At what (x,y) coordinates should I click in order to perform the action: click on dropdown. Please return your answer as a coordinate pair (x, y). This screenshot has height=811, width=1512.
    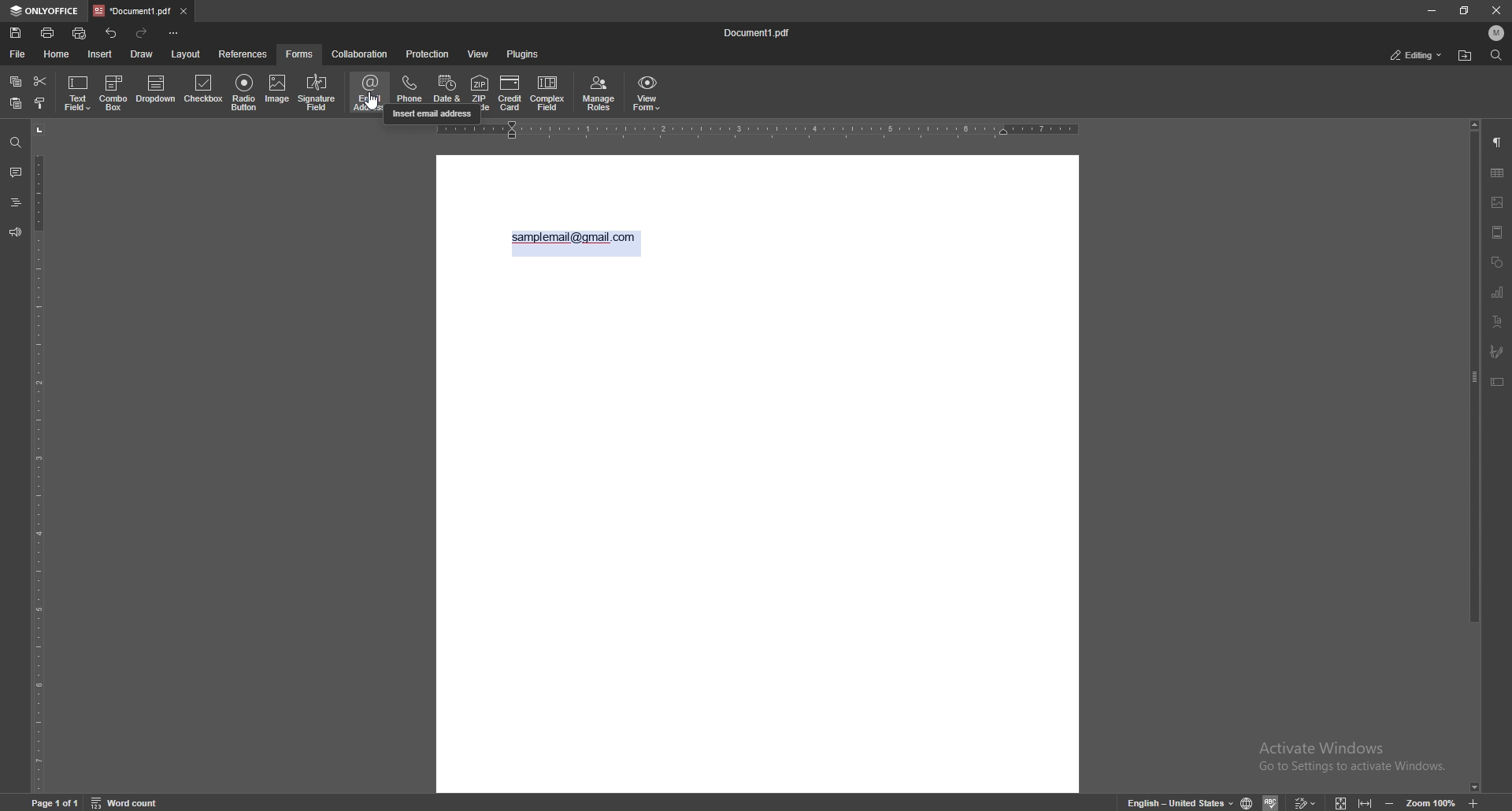
    Looking at the image, I should click on (156, 91).